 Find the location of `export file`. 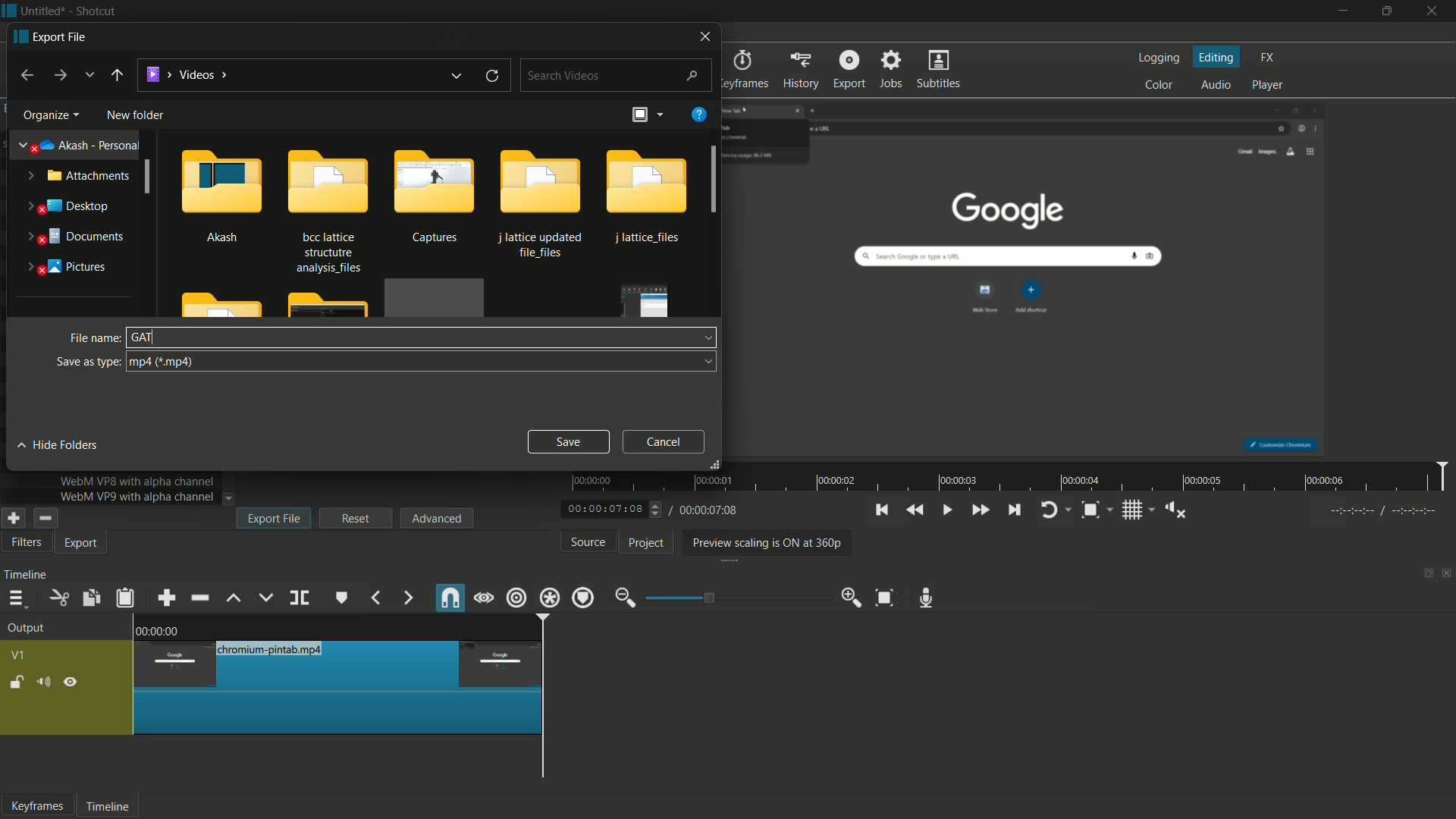

export file is located at coordinates (49, 36).